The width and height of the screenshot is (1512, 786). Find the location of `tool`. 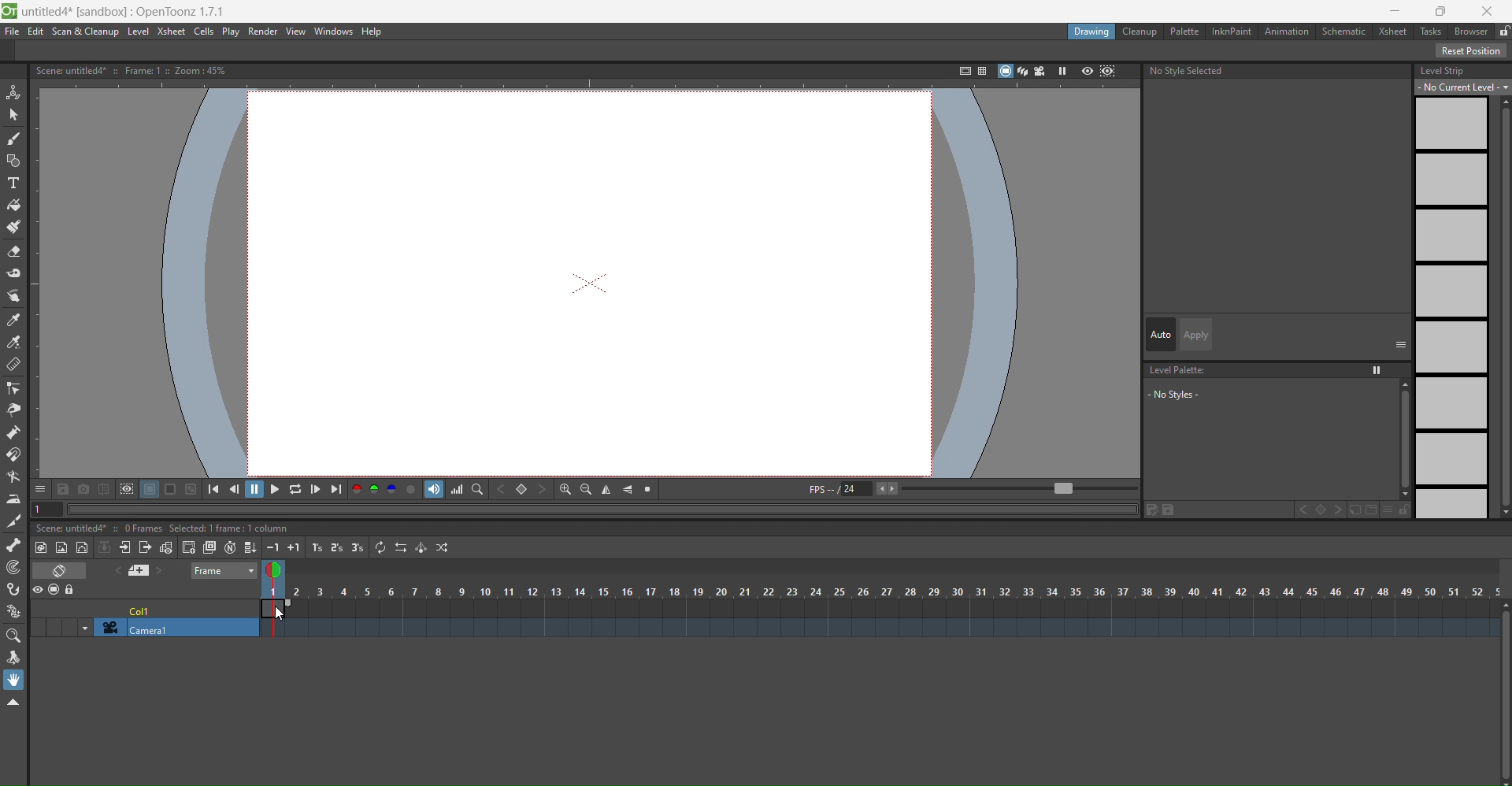

tool is located at coordinates (150, 489).